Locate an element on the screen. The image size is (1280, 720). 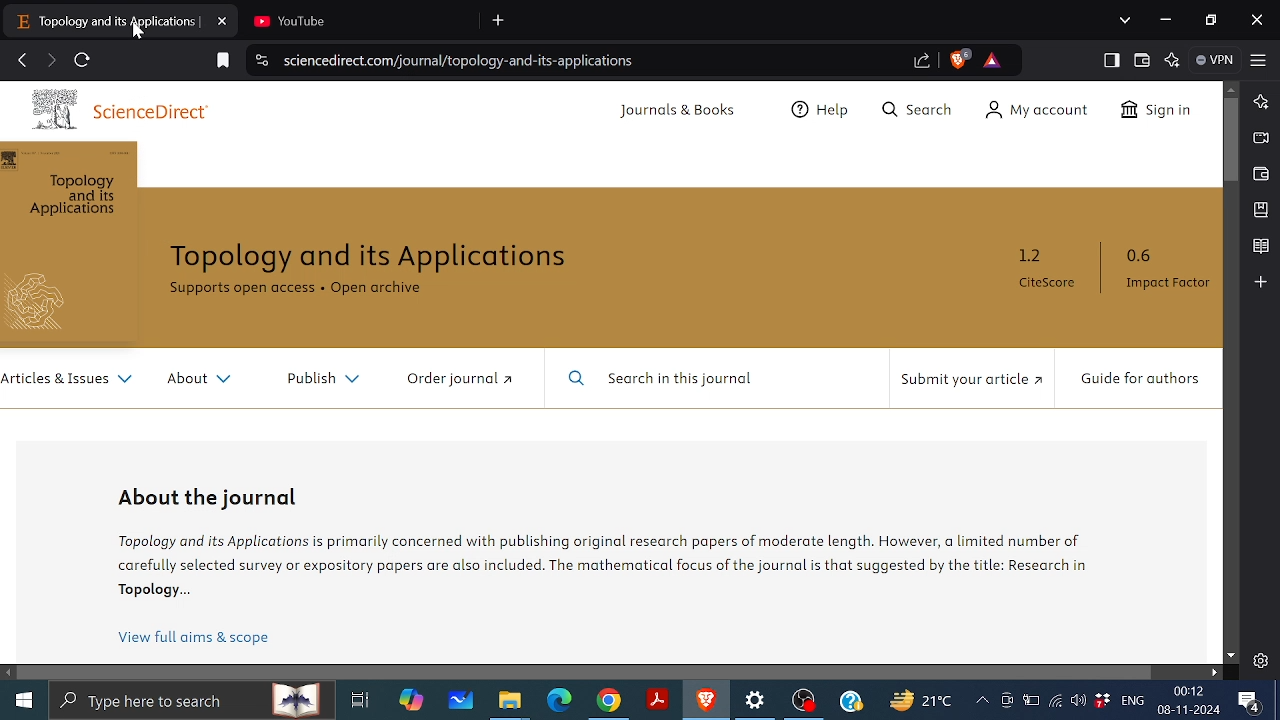
VPN is located at coordinates (1217, 60).